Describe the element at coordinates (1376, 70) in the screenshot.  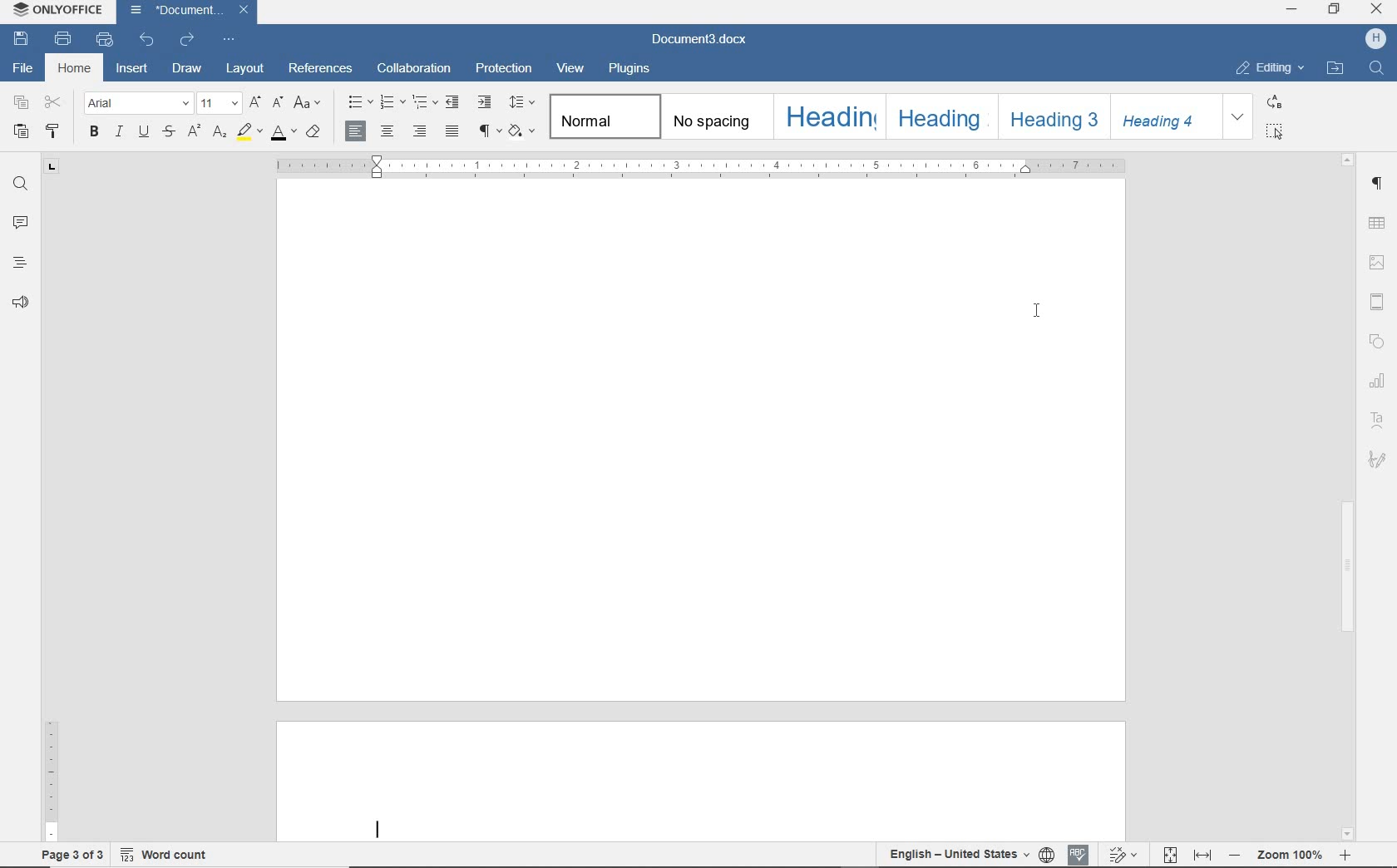
I see `FIND` at that location.